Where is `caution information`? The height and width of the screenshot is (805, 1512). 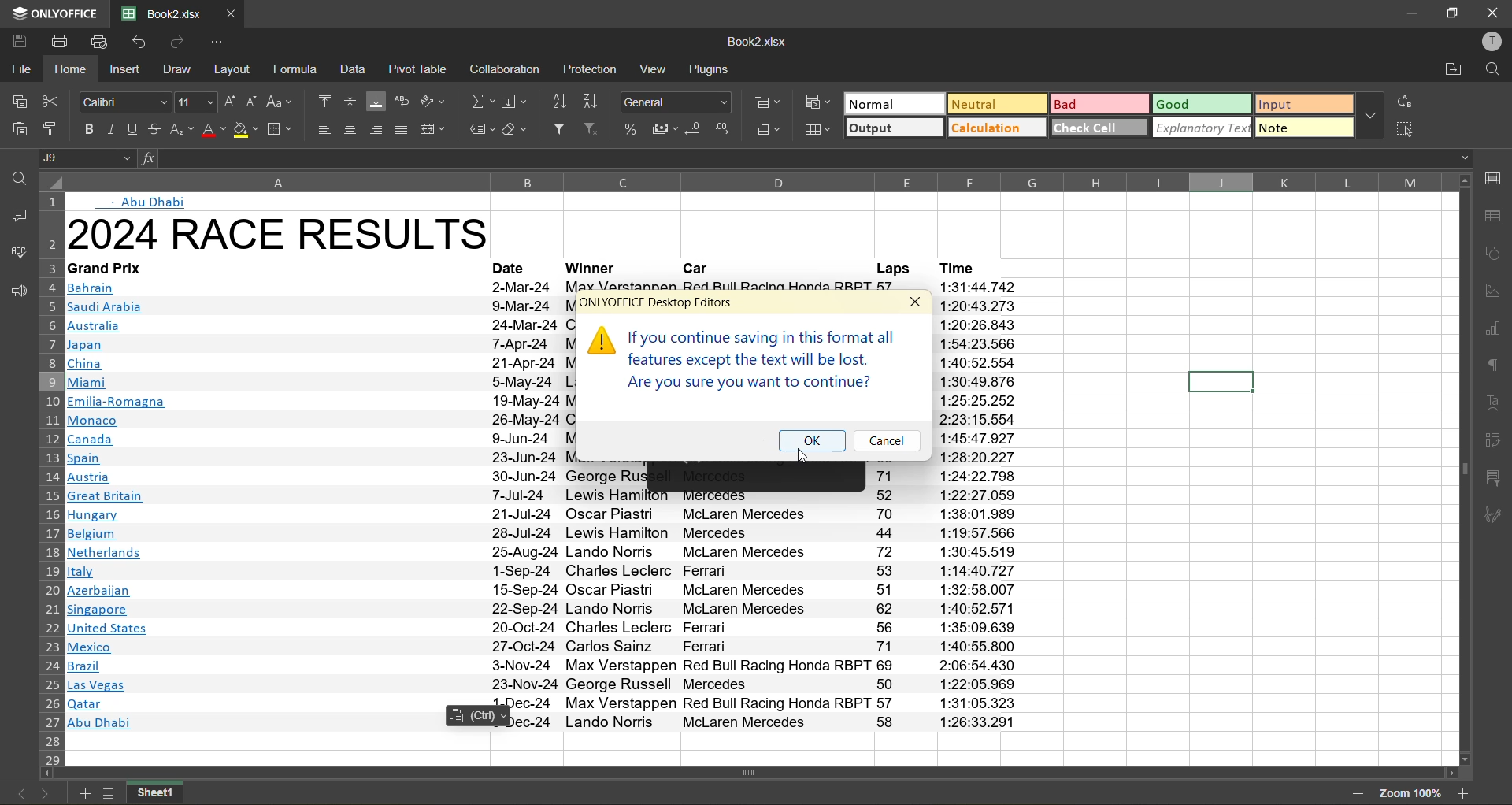
caution information is located at coordinates (747, 364).